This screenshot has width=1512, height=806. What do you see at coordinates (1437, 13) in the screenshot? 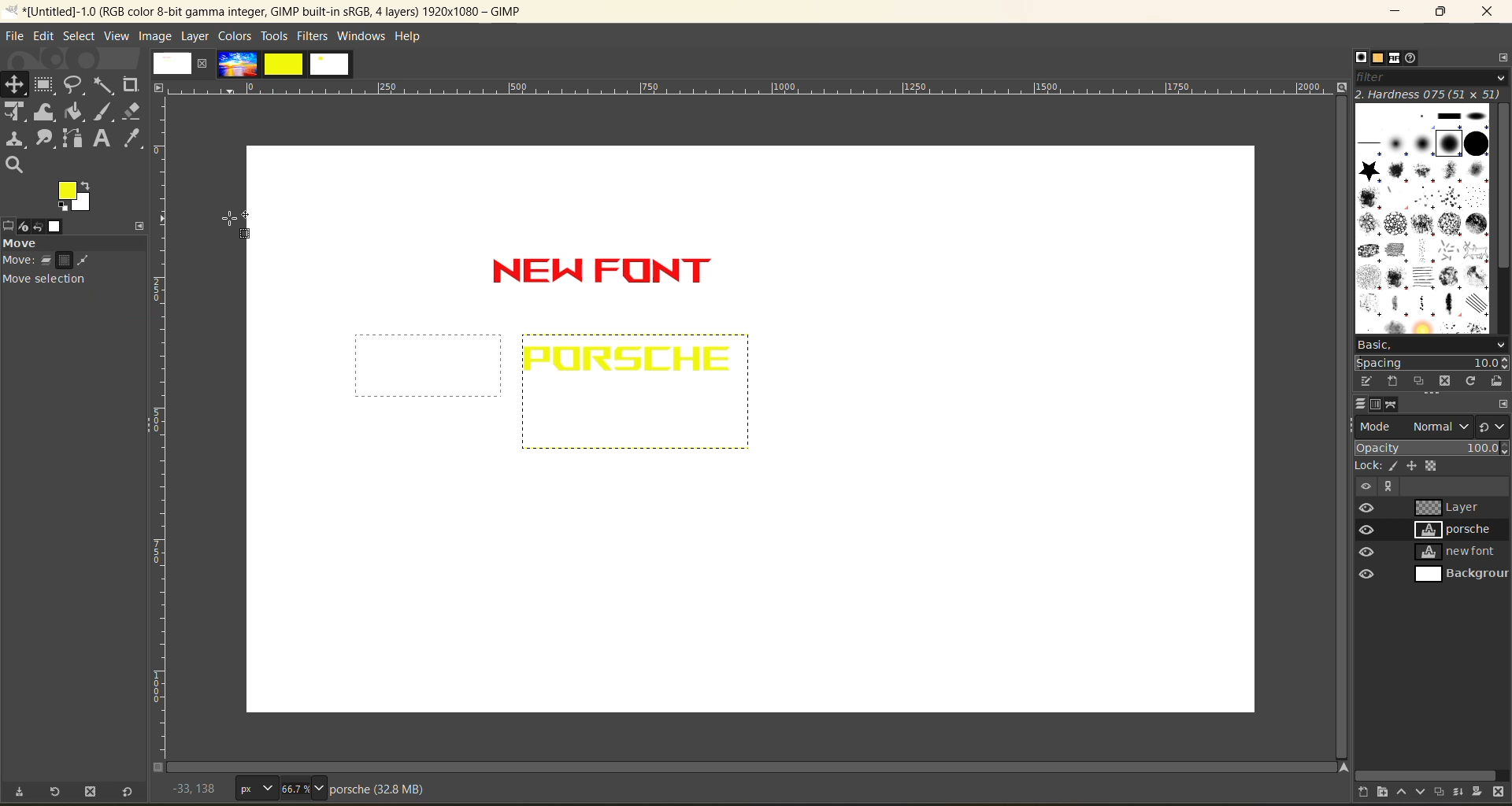
I see `maximize` at bounding box center [1437, 13].